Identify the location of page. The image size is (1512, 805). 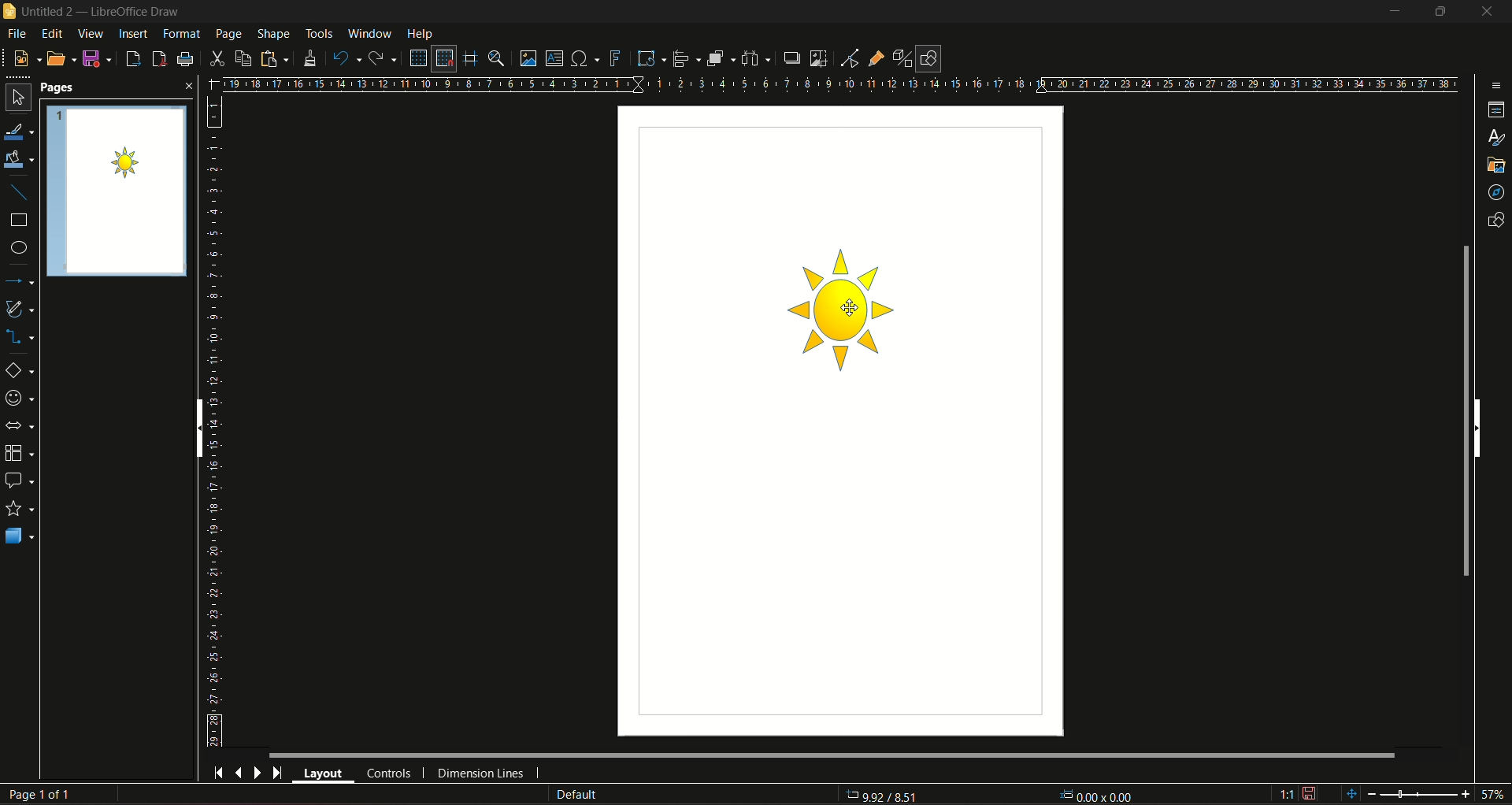
(117, 192).